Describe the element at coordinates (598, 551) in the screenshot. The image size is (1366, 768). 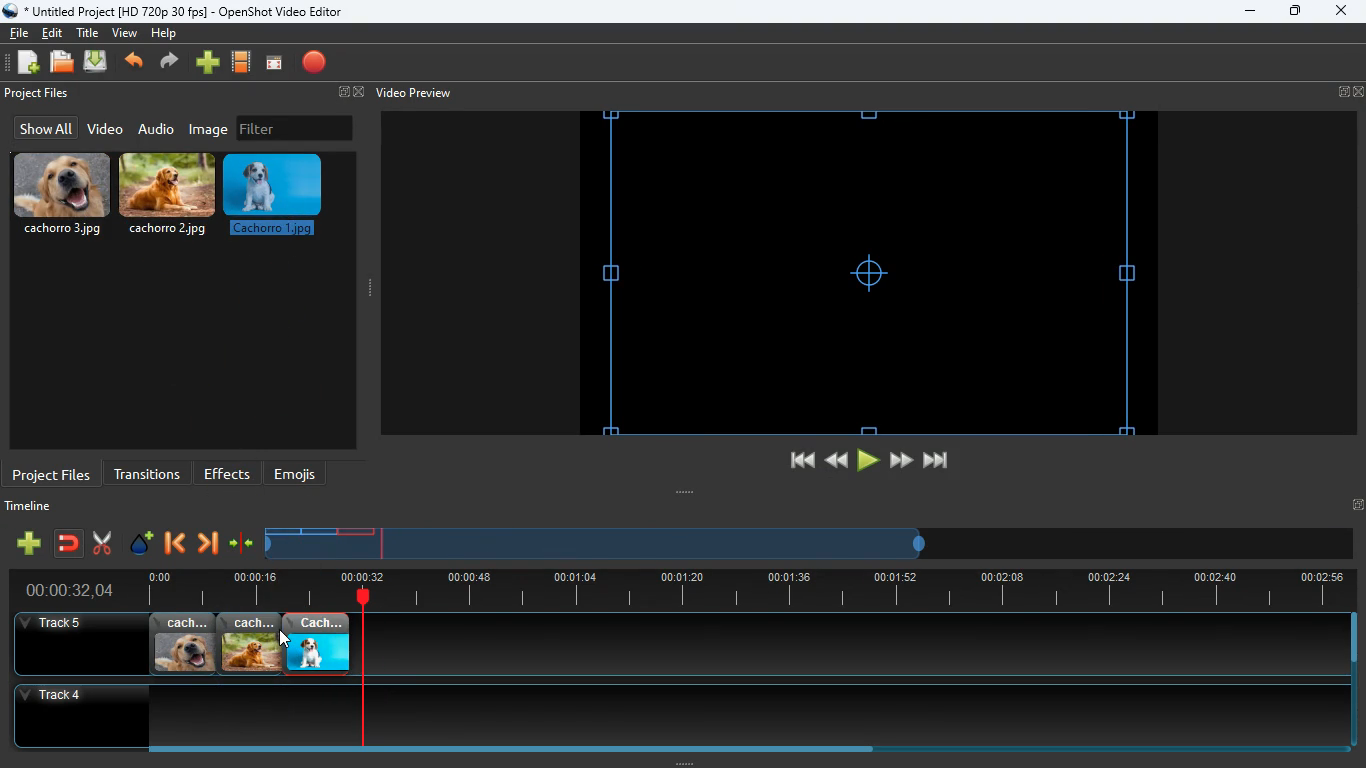
I see `timeline` at that location.